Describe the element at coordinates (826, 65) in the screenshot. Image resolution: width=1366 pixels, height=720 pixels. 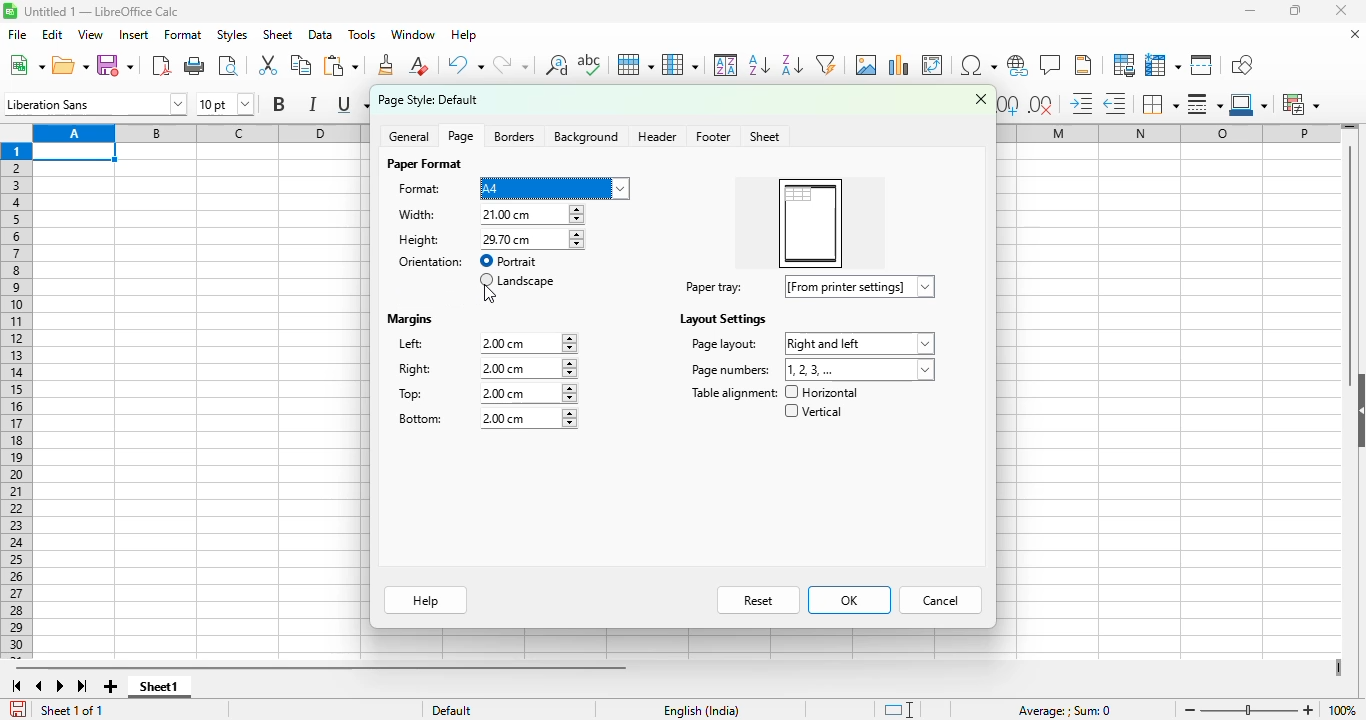
I see `autoFilter` at that location.